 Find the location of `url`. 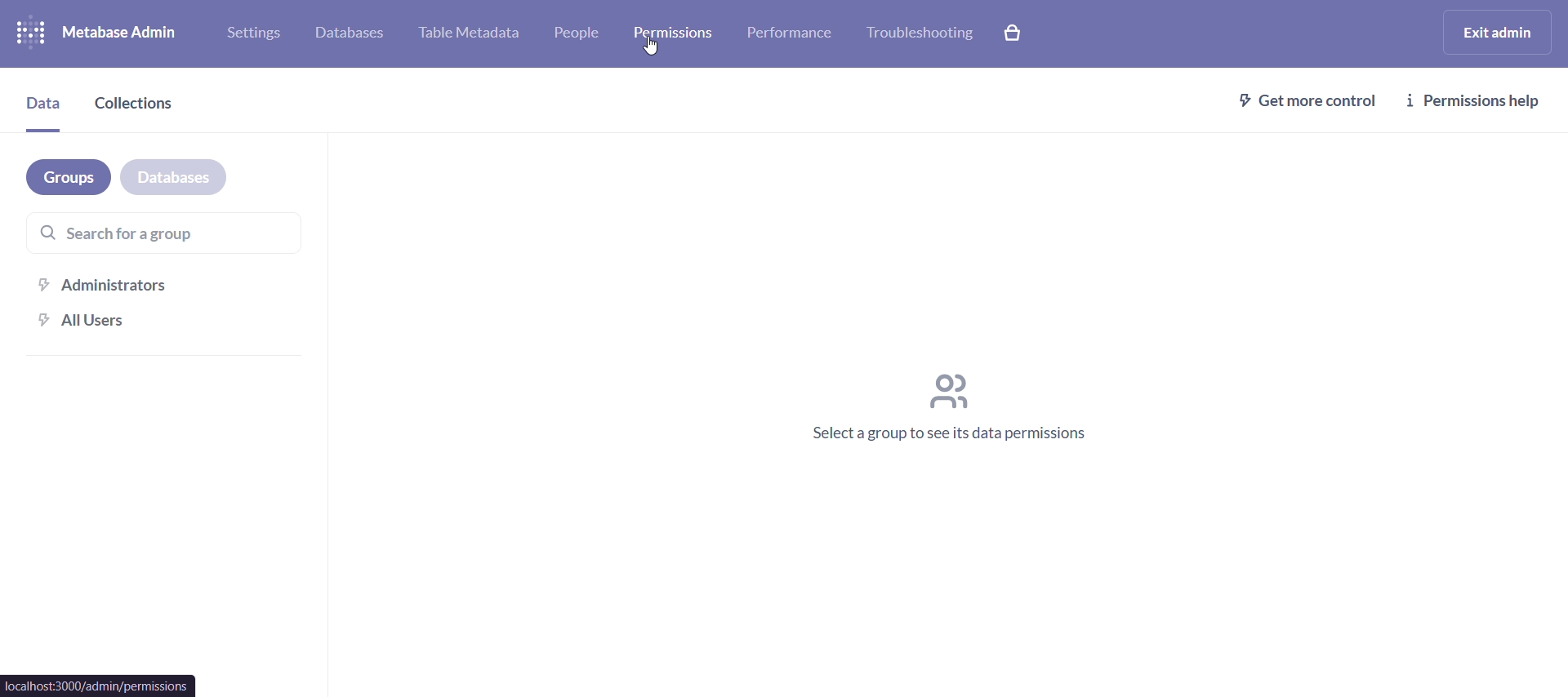

url is located at coordinates (98, 686).